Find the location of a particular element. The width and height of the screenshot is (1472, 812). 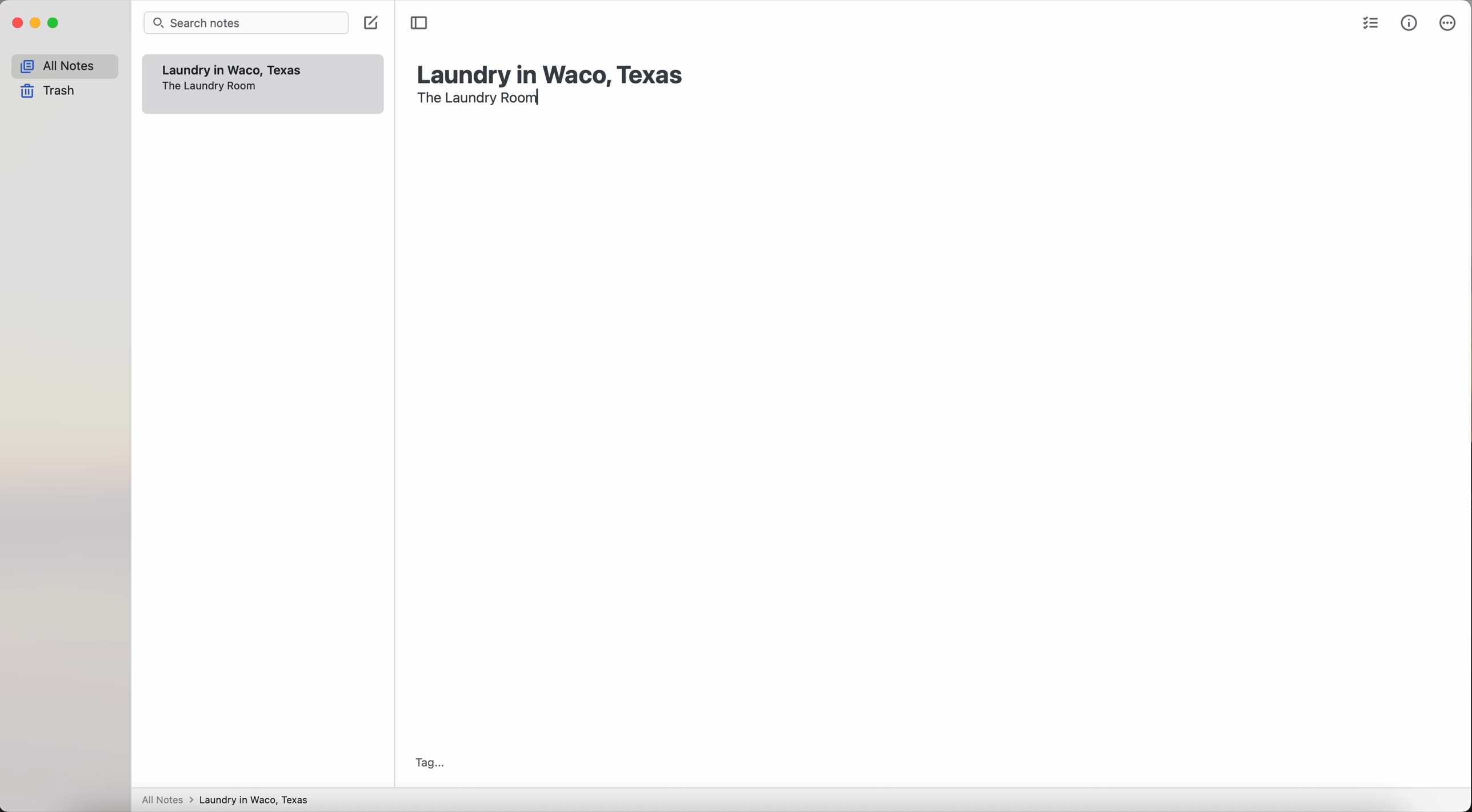

click on create note is located at coordinates (374, 26).